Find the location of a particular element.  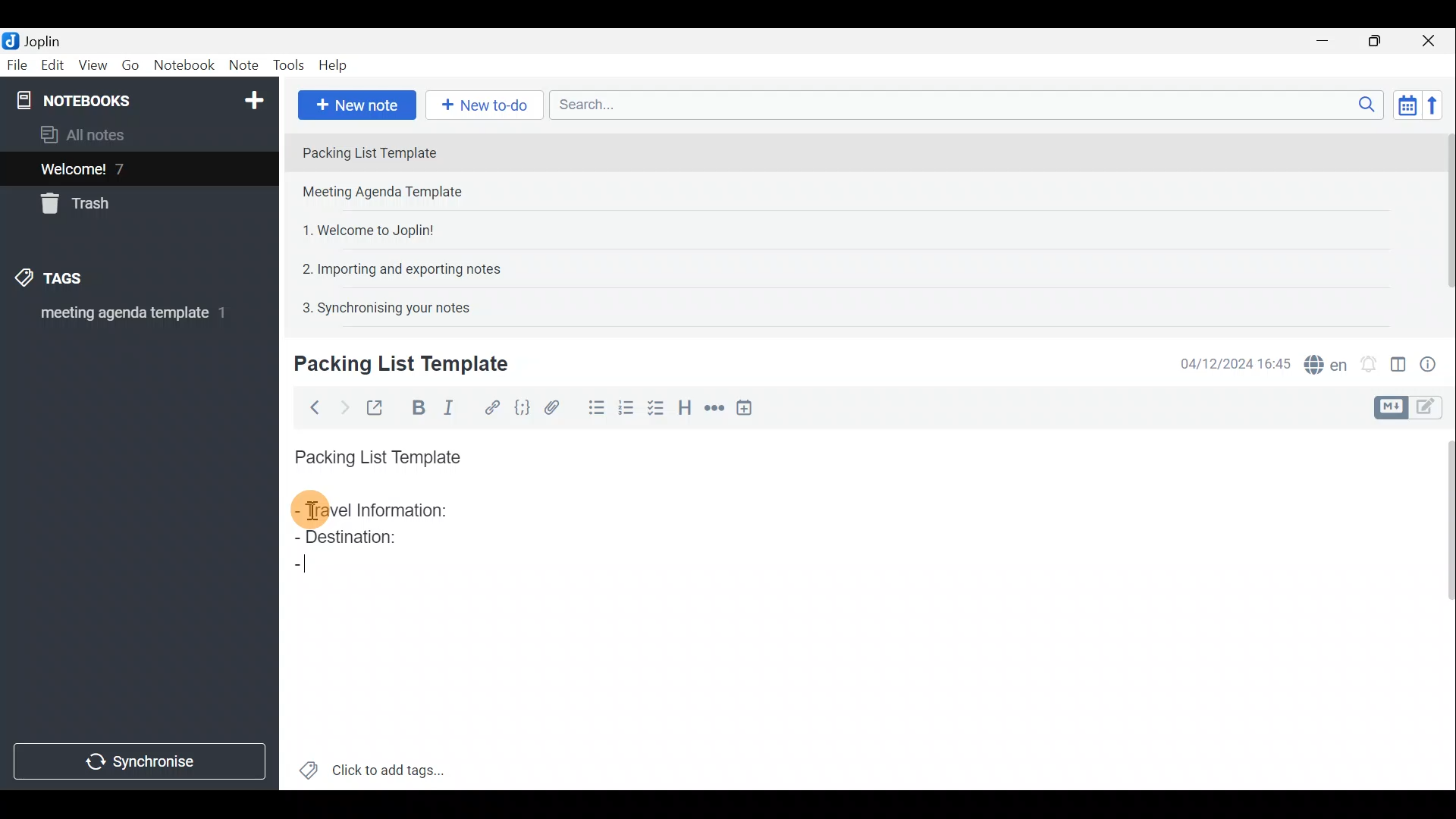

Welcome is located at coordinates (116, 168).